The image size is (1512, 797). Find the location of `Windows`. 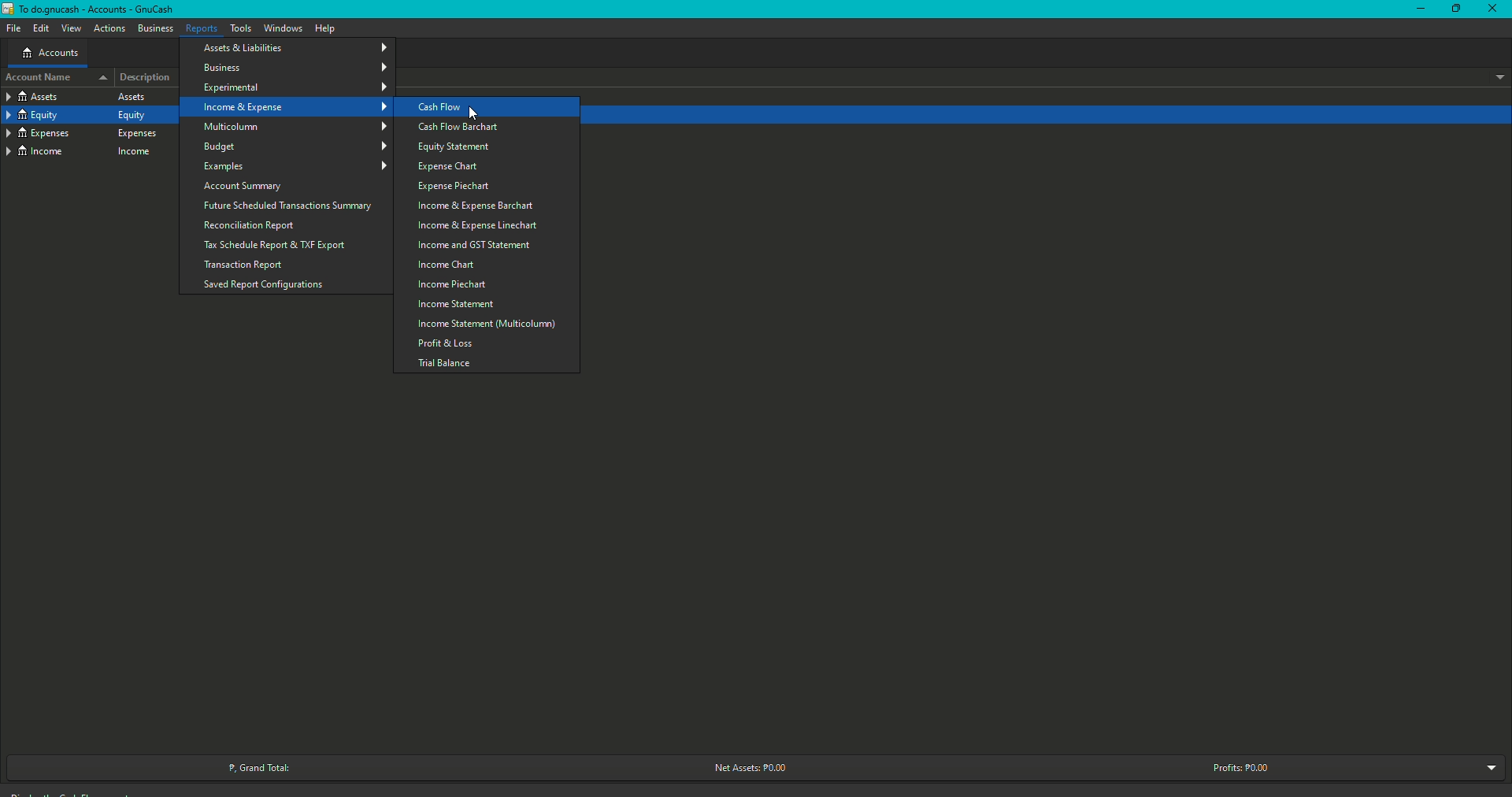

Windows is located at coordinates (286, 28).